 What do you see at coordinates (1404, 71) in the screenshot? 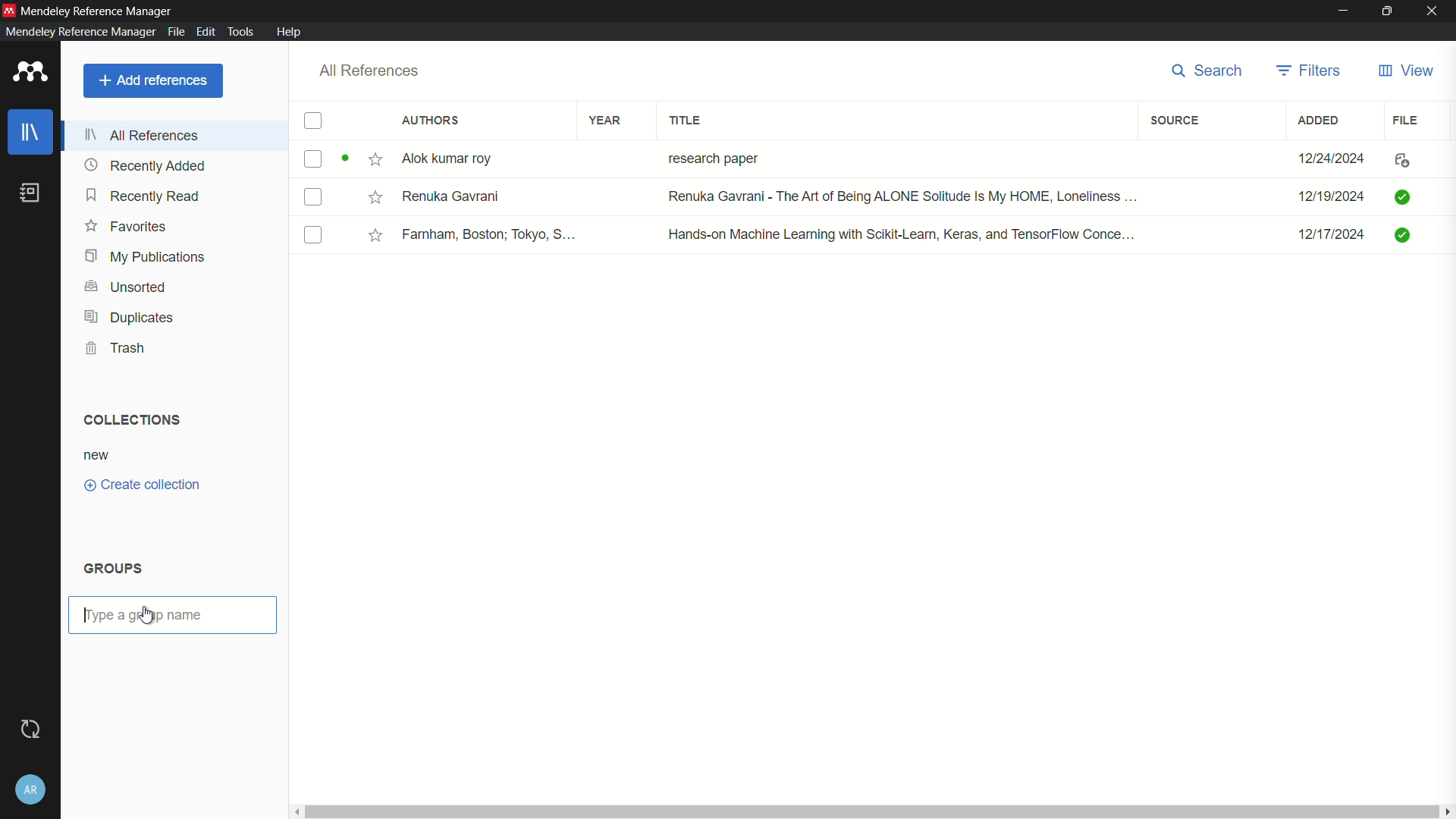
I see `view` at bounding box center [1404, 71].